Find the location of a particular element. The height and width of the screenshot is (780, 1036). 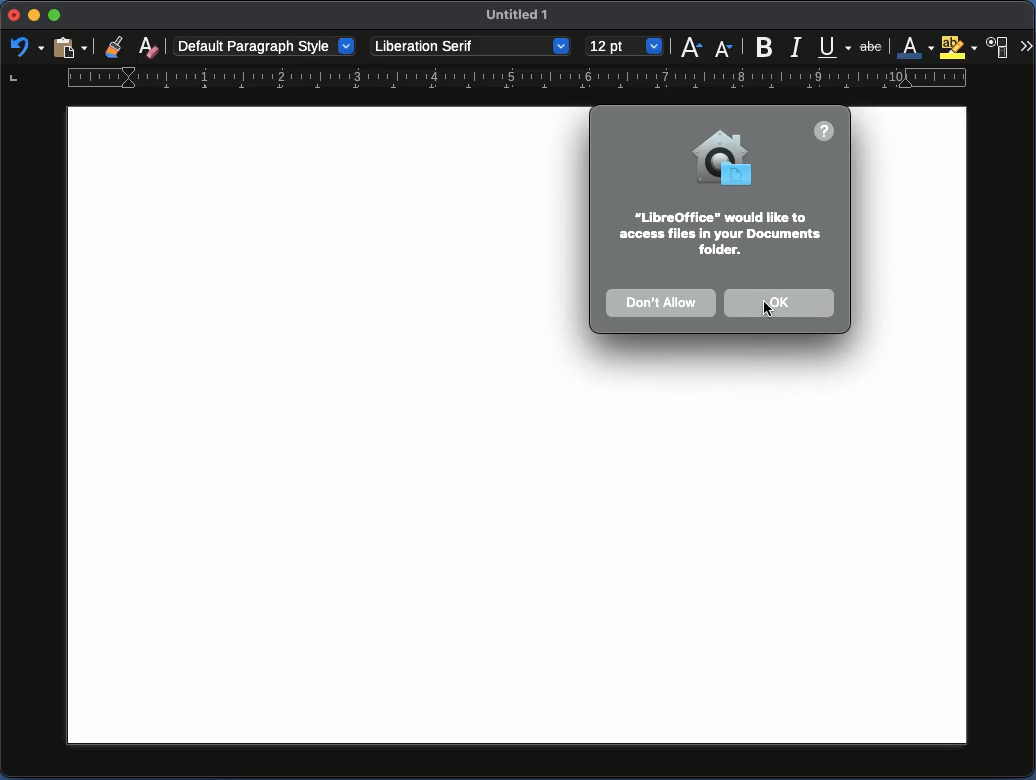

Clone formatting is located at coordinates (117, 47).